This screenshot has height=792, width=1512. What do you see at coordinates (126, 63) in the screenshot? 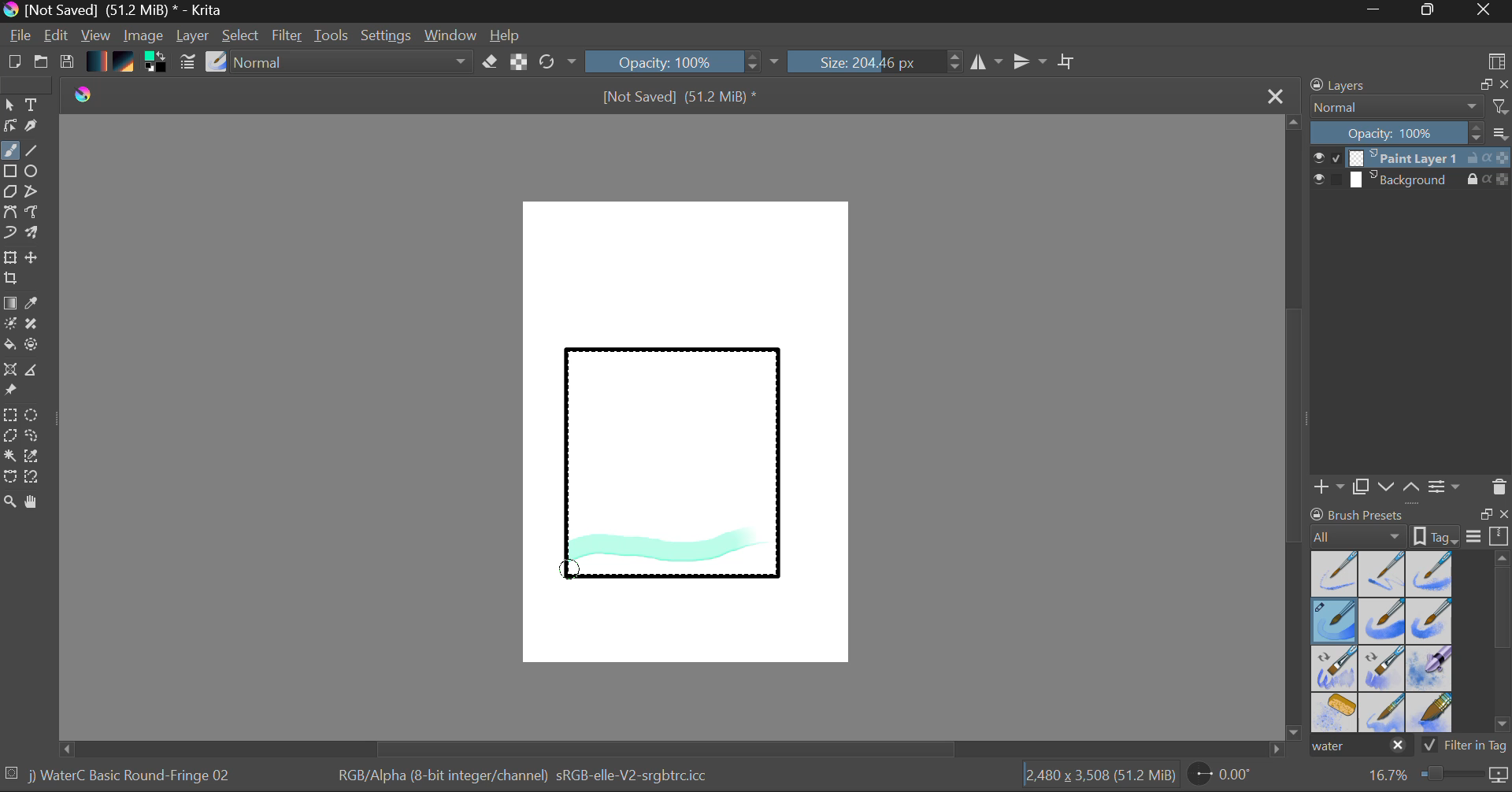
I see `Pattern` at bounding box center [126, 63].